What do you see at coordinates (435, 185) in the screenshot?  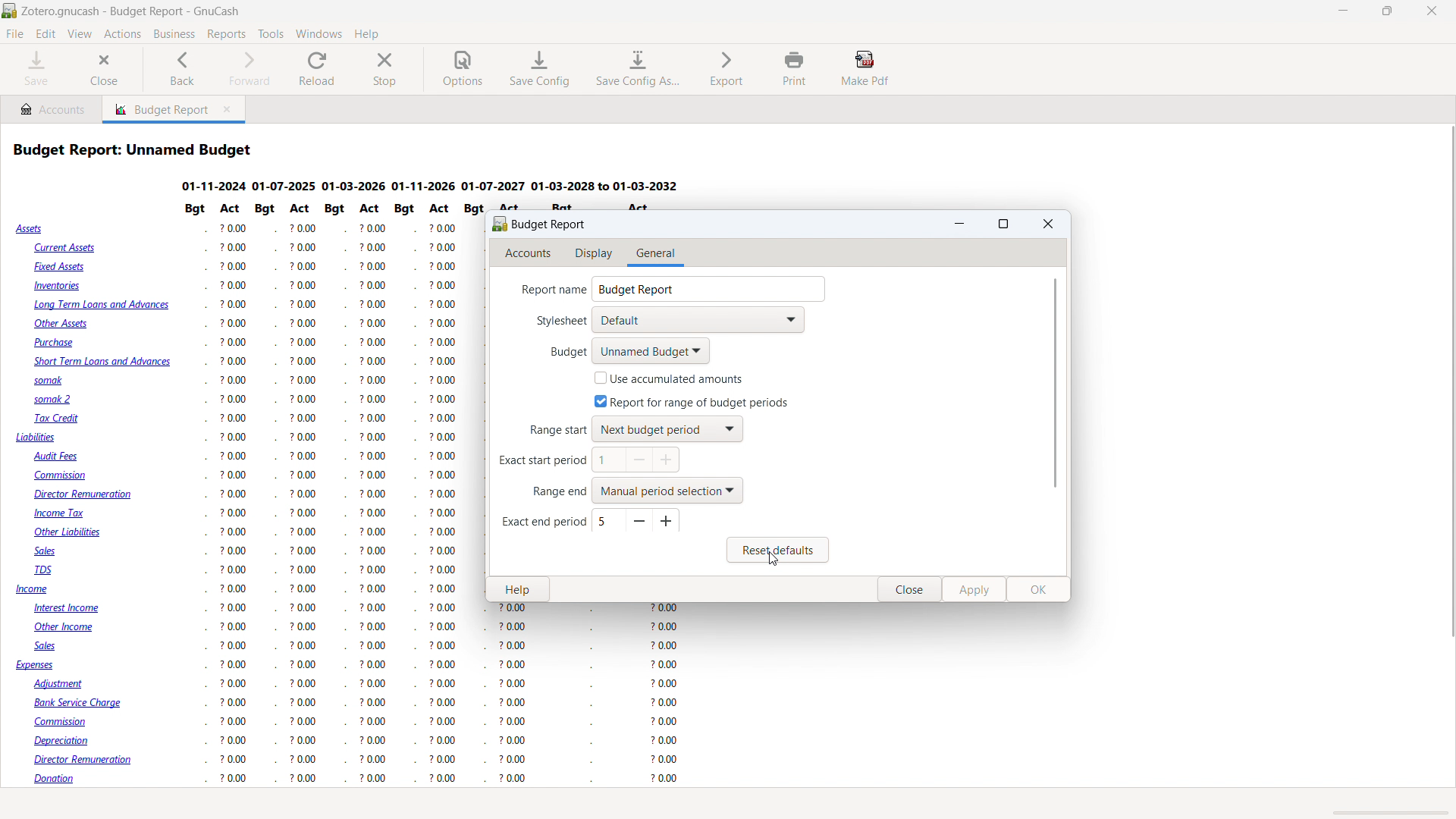 I see `timelines` at bounding box center [435, 185].